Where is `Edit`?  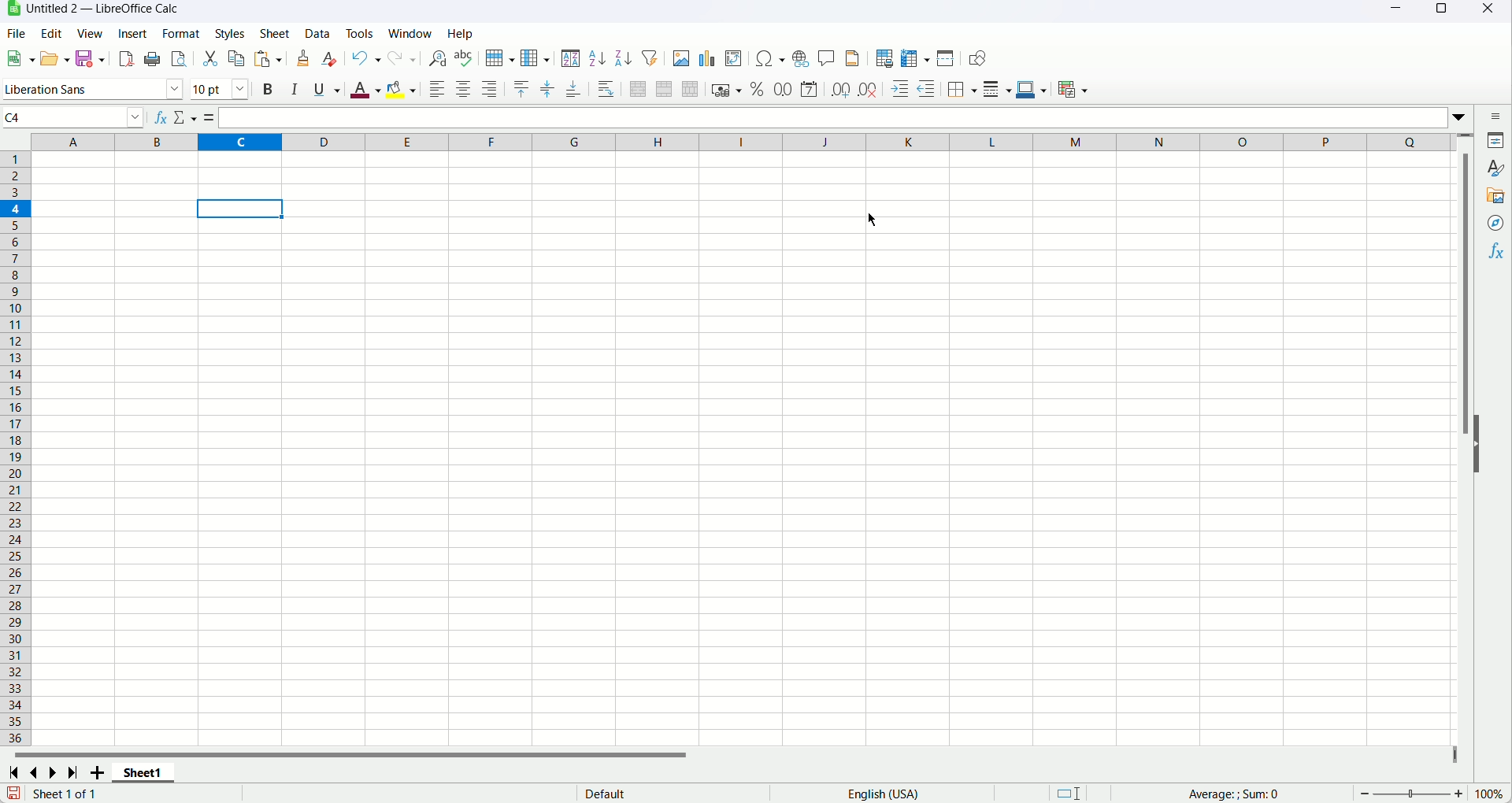 Edit is located at coordinates (50, 32).